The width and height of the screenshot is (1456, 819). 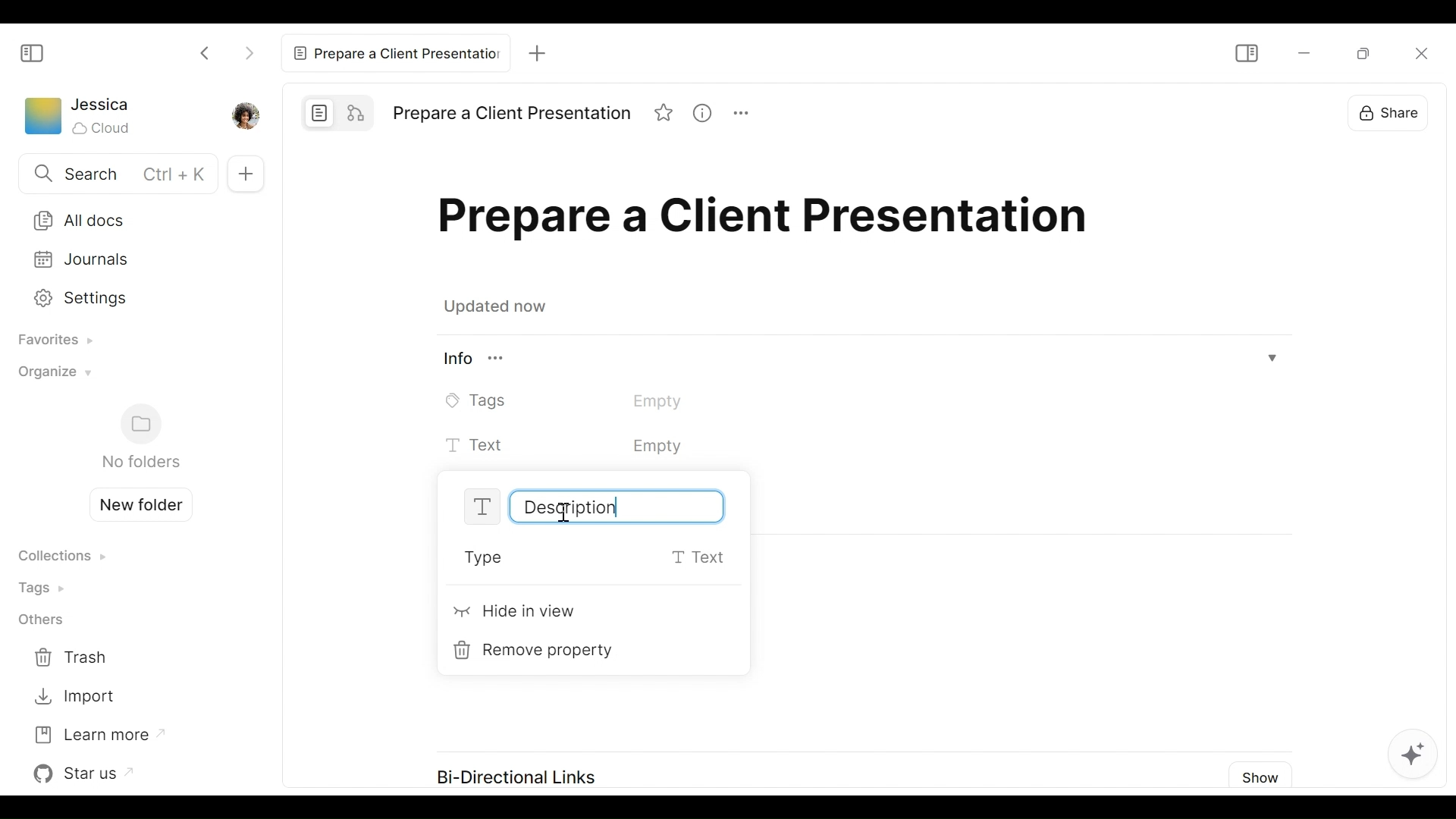 I want to click on Current tab, so click(x=395, y=52).